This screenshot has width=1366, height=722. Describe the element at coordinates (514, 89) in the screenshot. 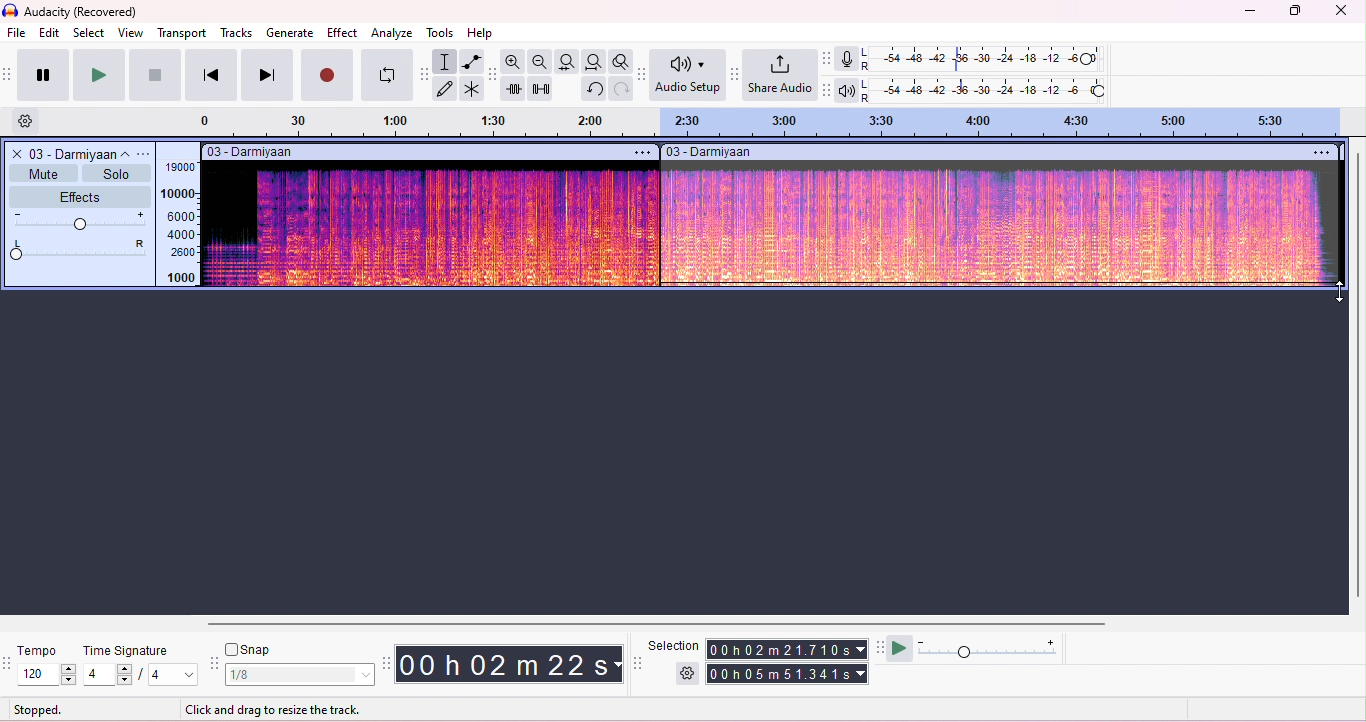

I see `trim outside selection` at that location.